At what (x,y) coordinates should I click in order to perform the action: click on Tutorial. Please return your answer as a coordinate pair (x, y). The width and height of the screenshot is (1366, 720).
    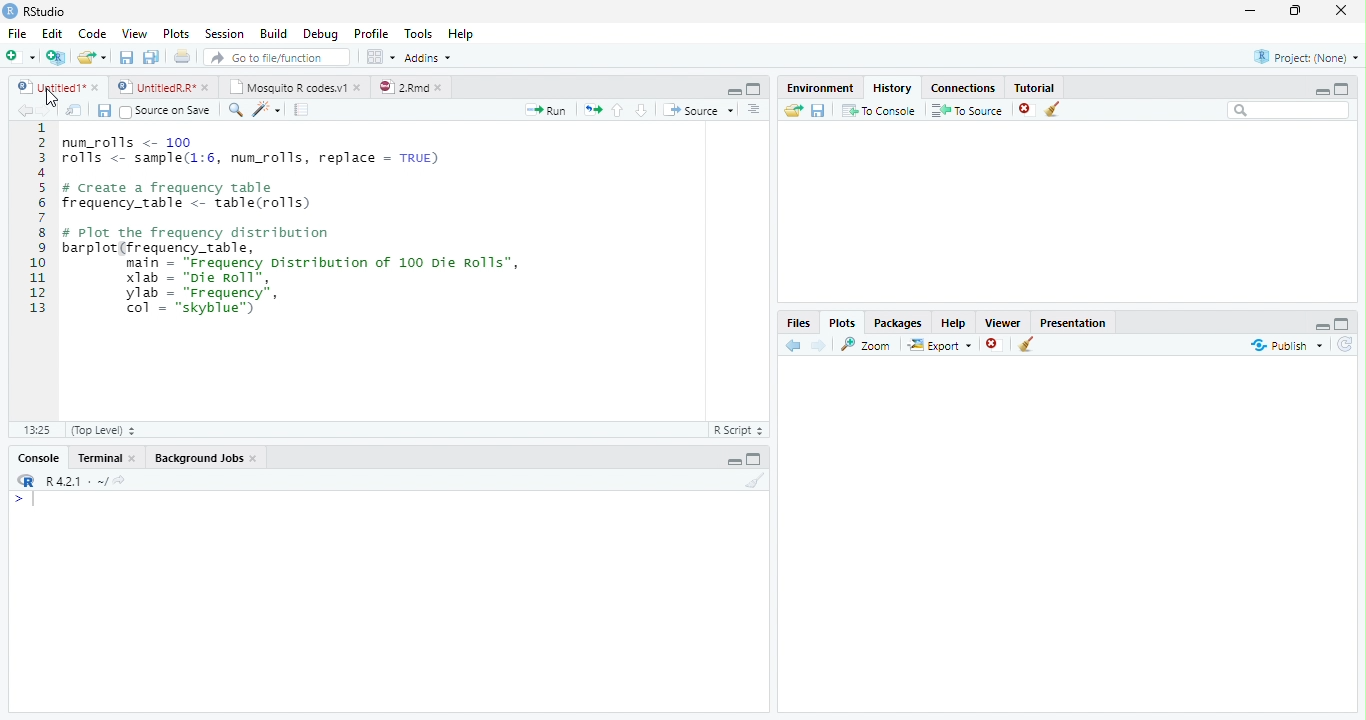
    Looking at the image, I should click on (1034, 86).